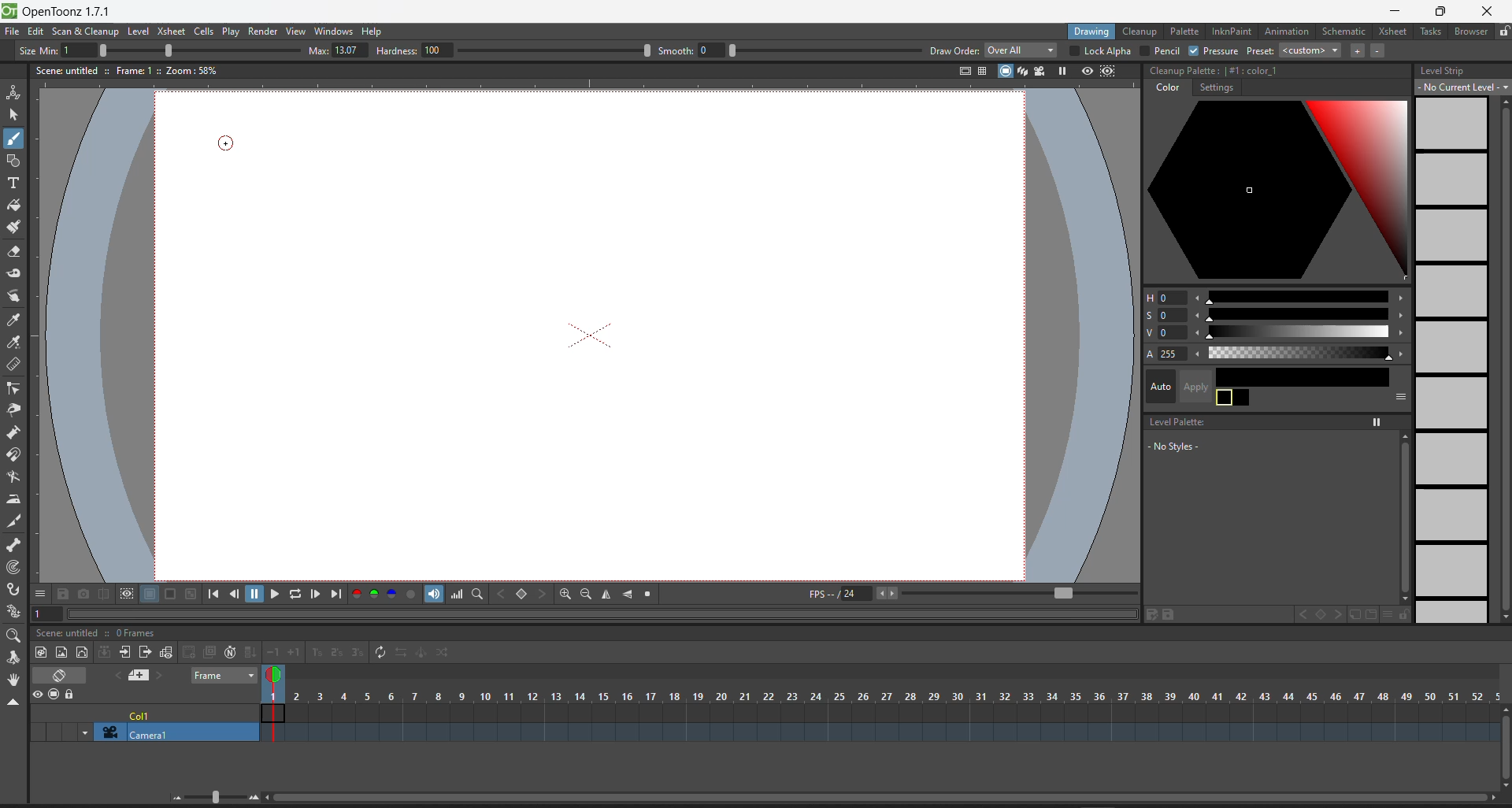  I want to click on hardness slider, so click(508, 49).